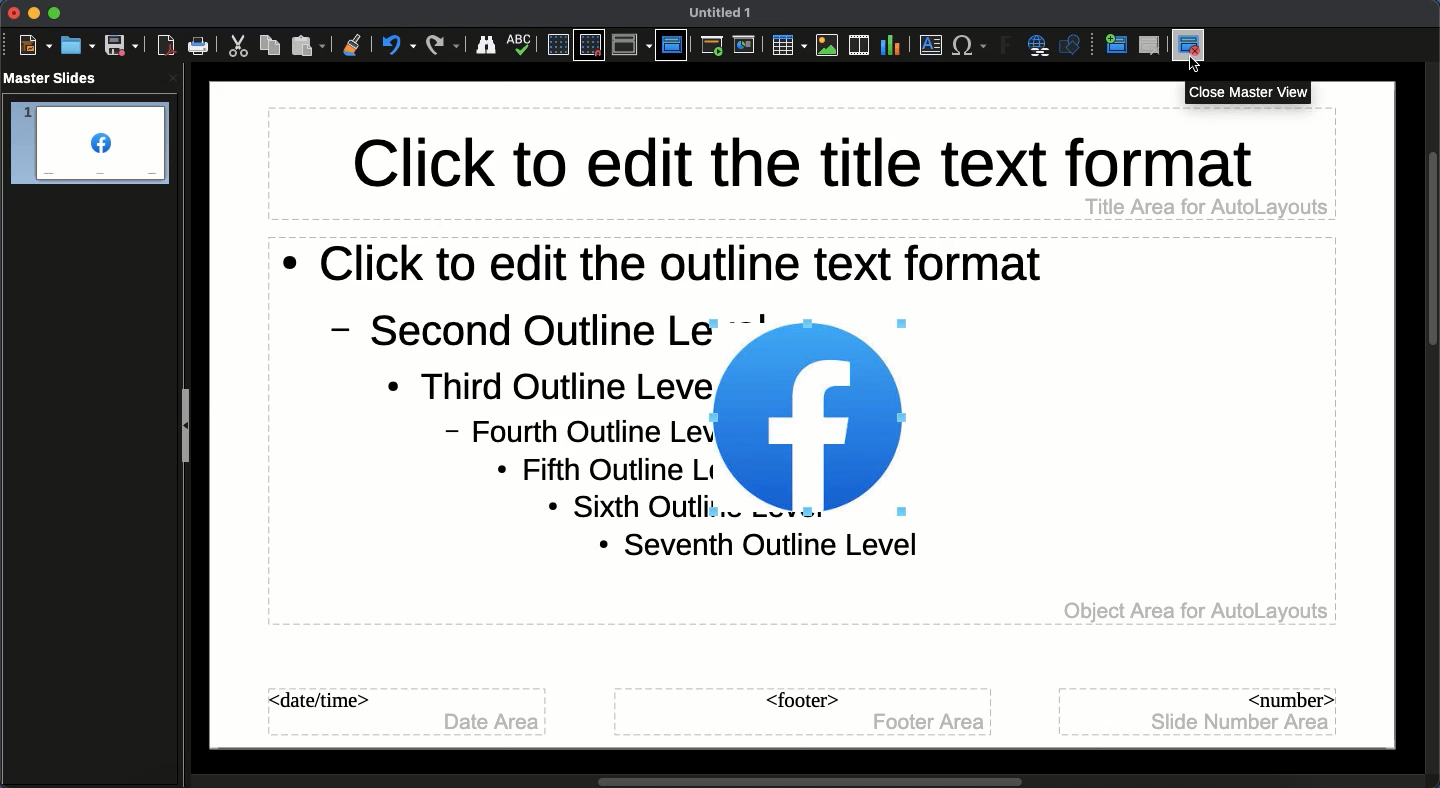  What do you see at coordinates (1201, 712) in the screenshot?
I see `Master slide number` at bounding box center [1201, 712].